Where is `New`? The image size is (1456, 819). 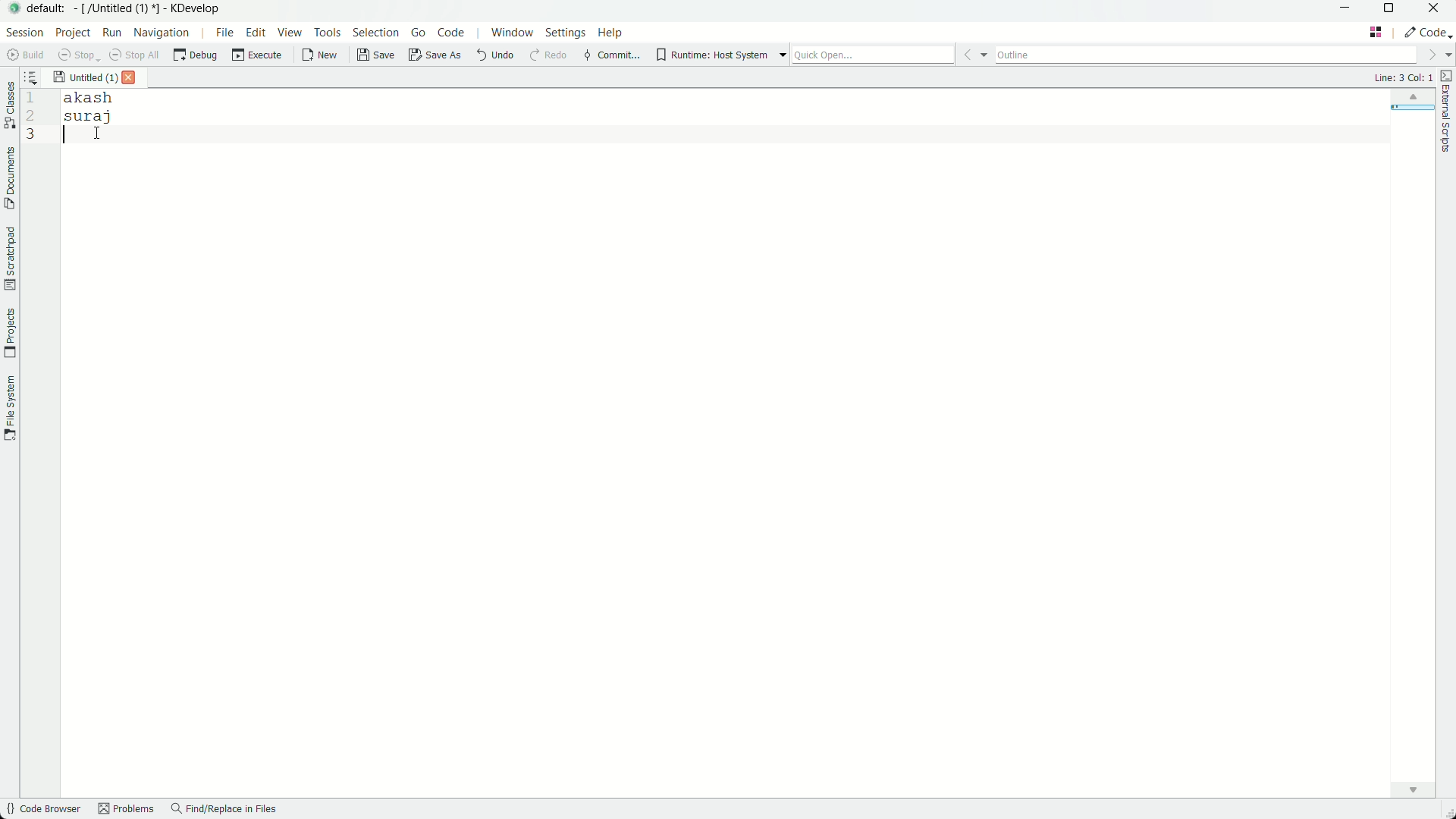
New is located at coordinates (320, 55).